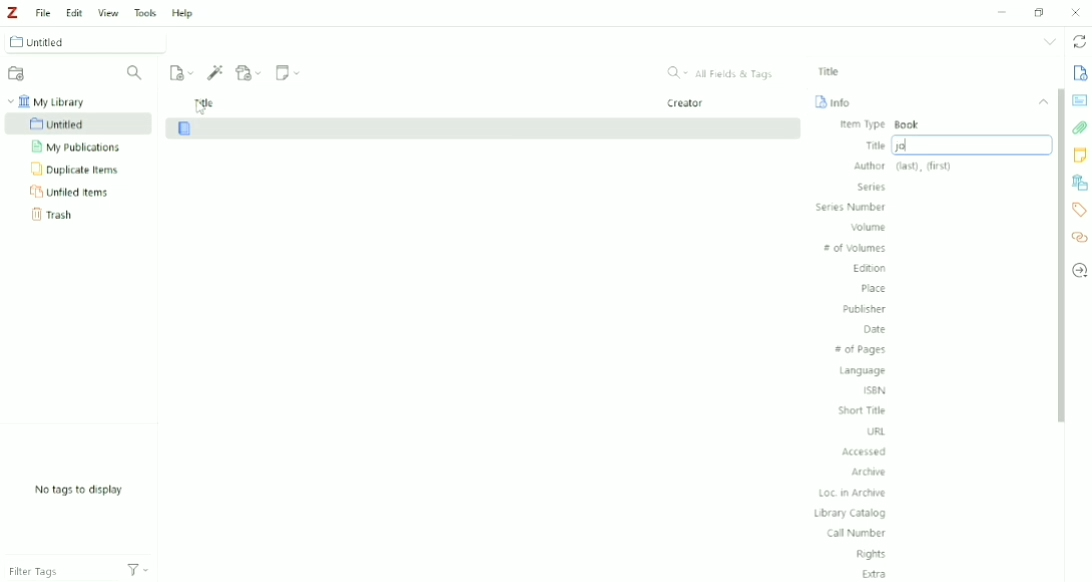 Image resolution: width=1092 pixels, height=582 pixels. What do you see at coordinates (877, 432) in the screenshot?
I see `URL` at bounding box center [877, 432].